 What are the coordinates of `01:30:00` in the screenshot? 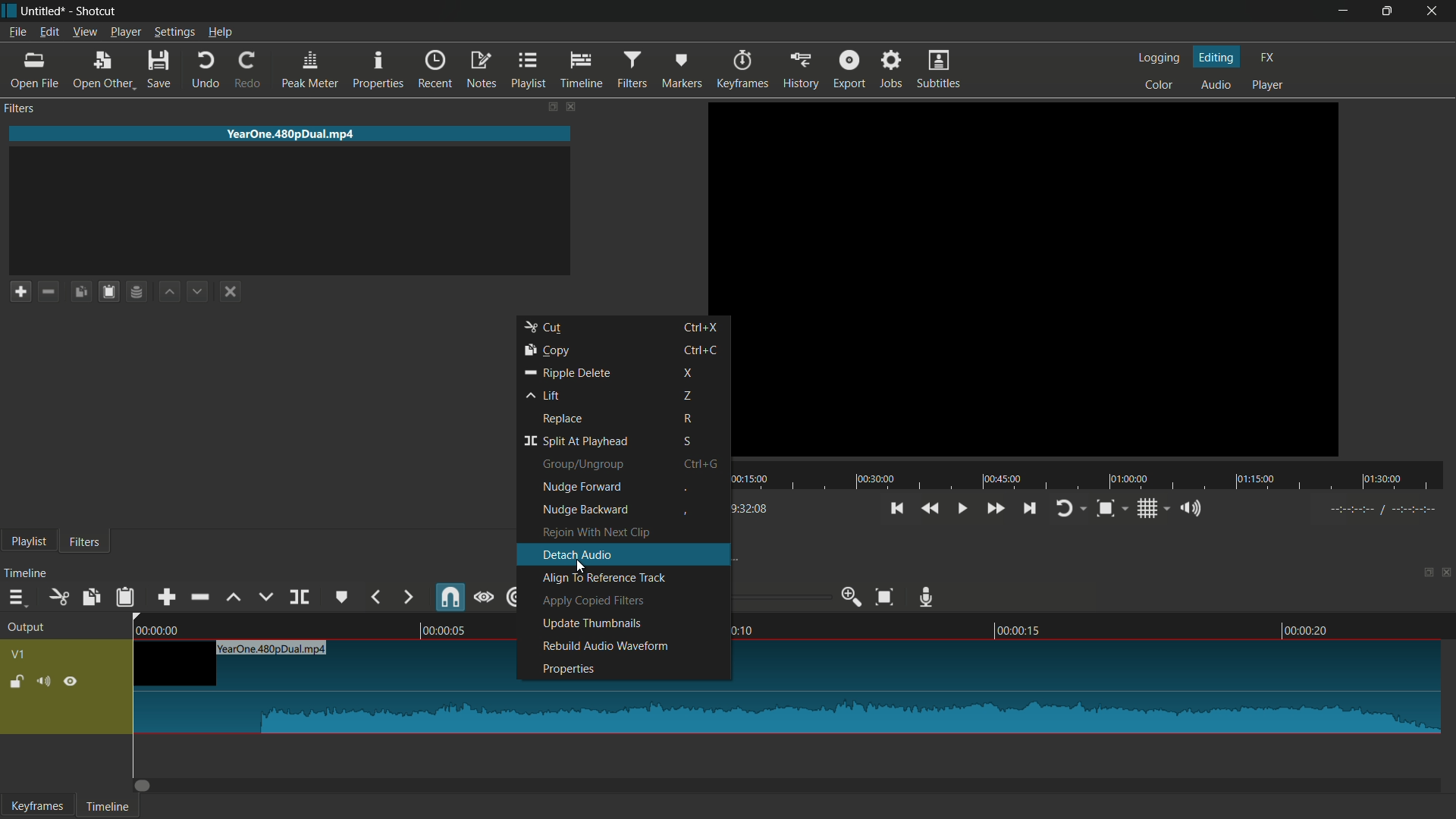 It's located at (1382, 480).